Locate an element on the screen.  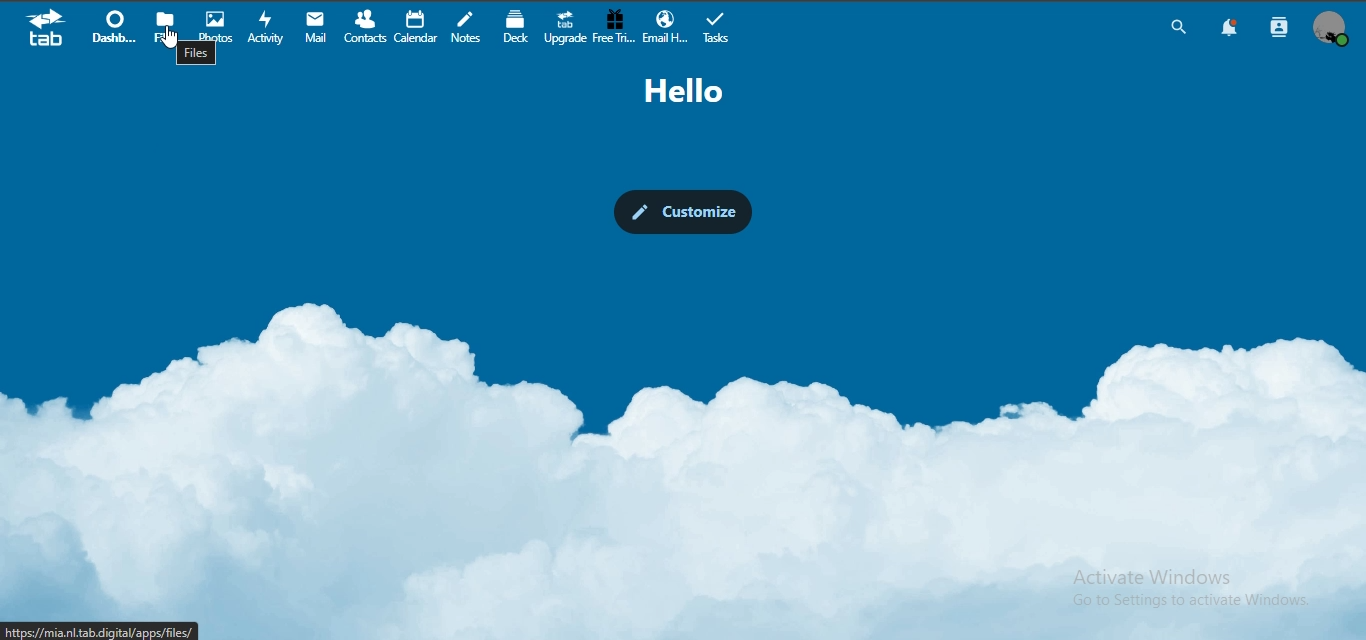
files is located at coordinates (166, 26).